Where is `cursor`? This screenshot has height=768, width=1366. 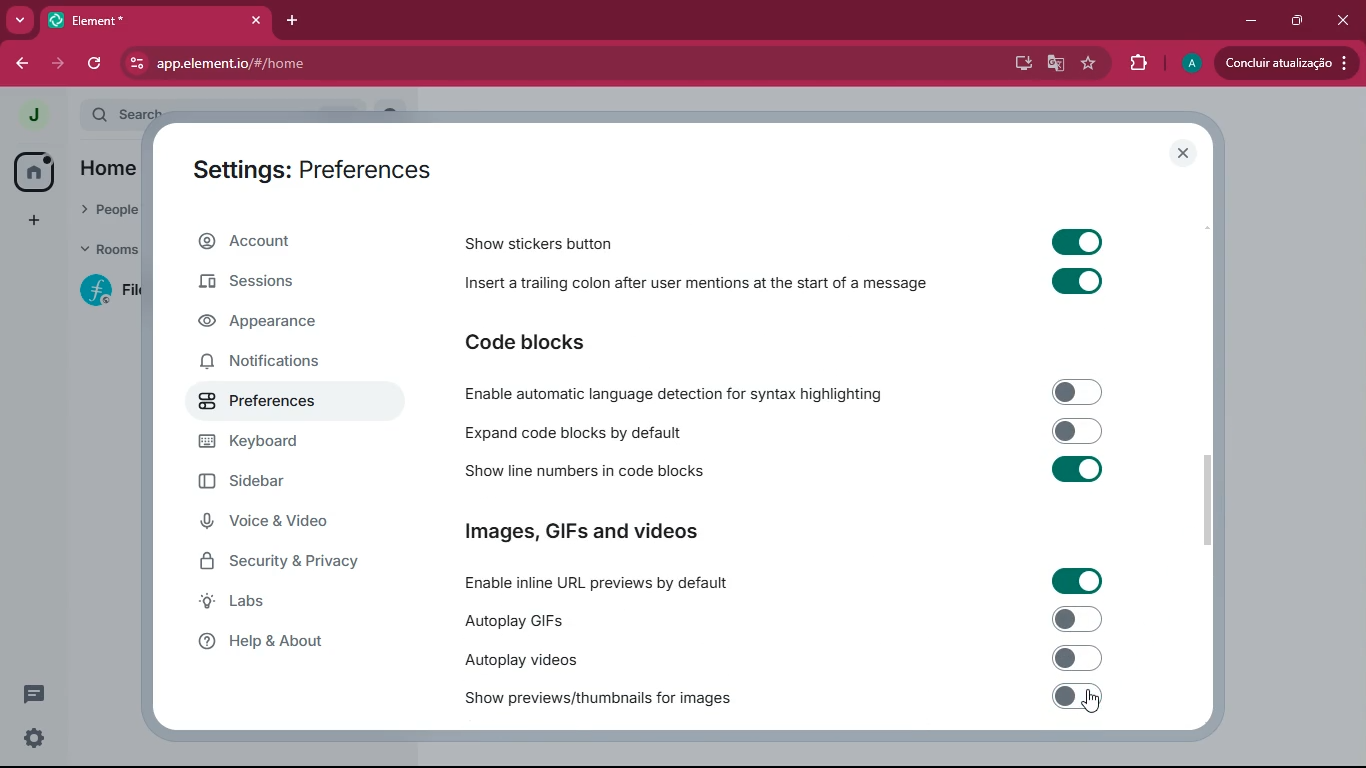 cursor is located at coordinates (1092, 702).